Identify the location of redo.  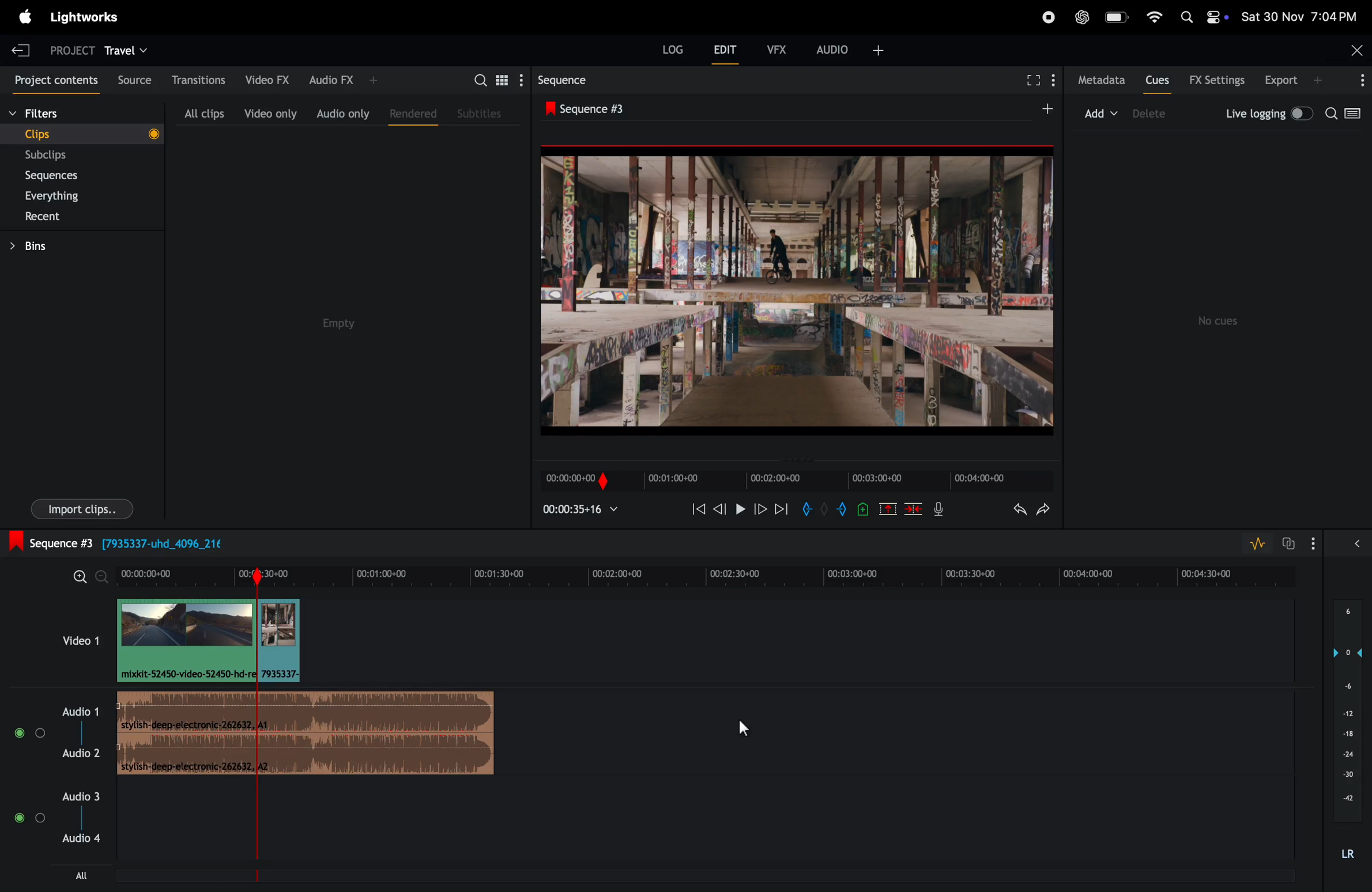
(1047, 508).